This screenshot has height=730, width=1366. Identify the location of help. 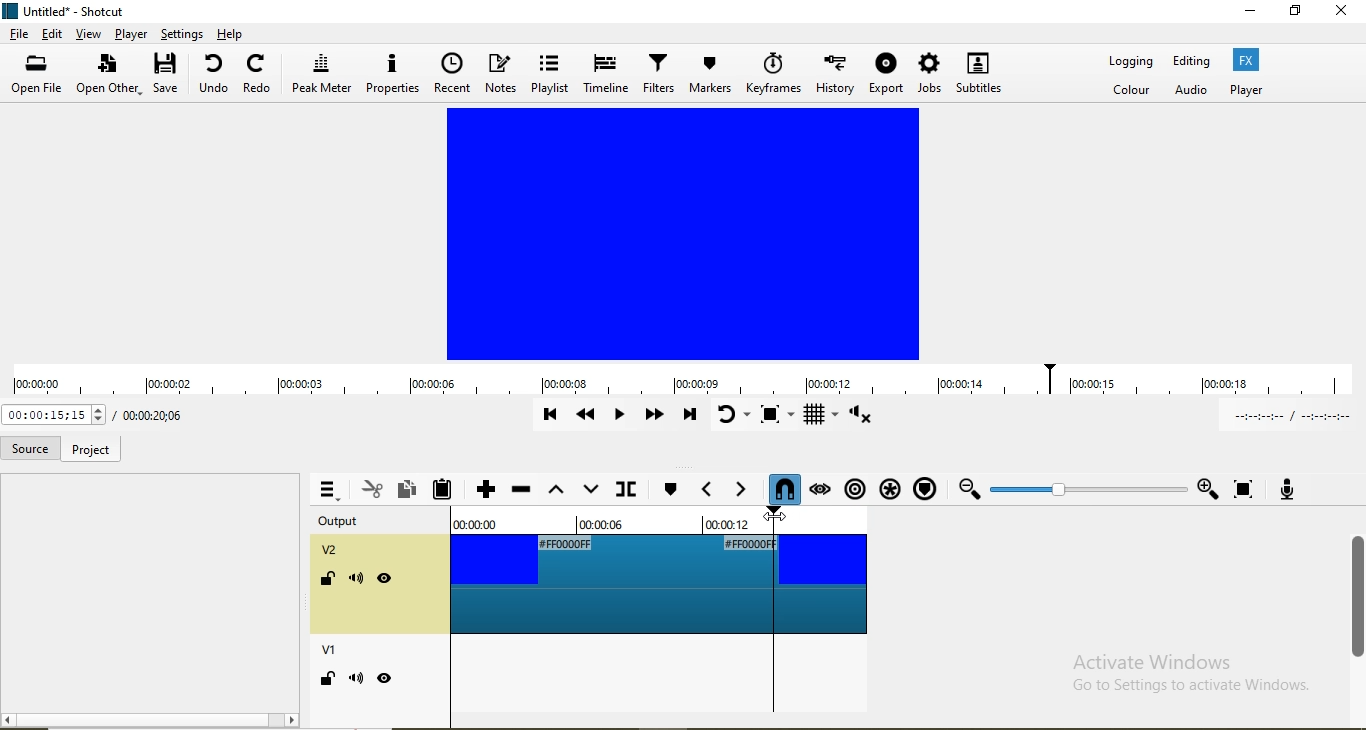
(232, 33).